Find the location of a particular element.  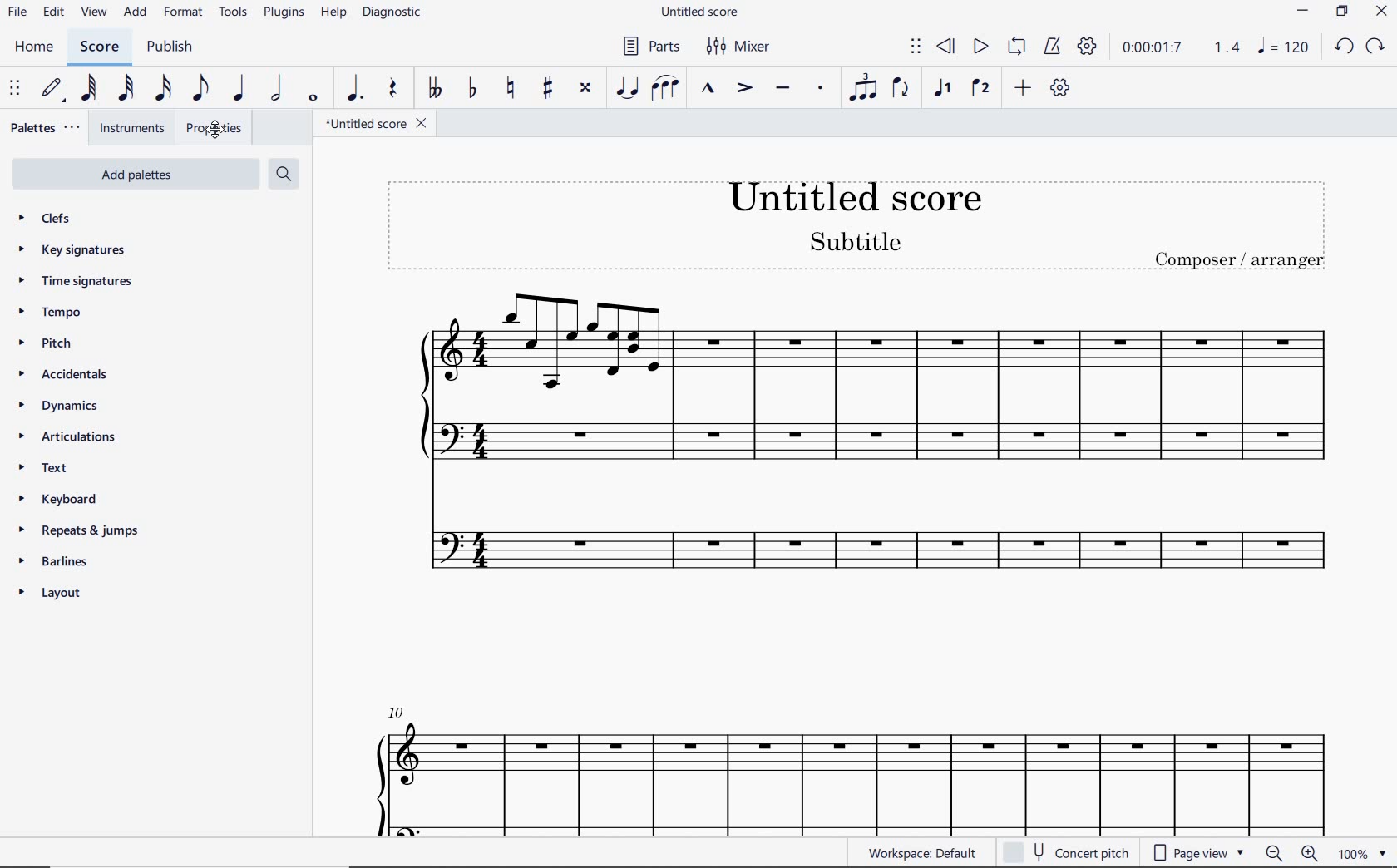

WORKSPACE: DEFAULT is located at coordinates (927, 853).